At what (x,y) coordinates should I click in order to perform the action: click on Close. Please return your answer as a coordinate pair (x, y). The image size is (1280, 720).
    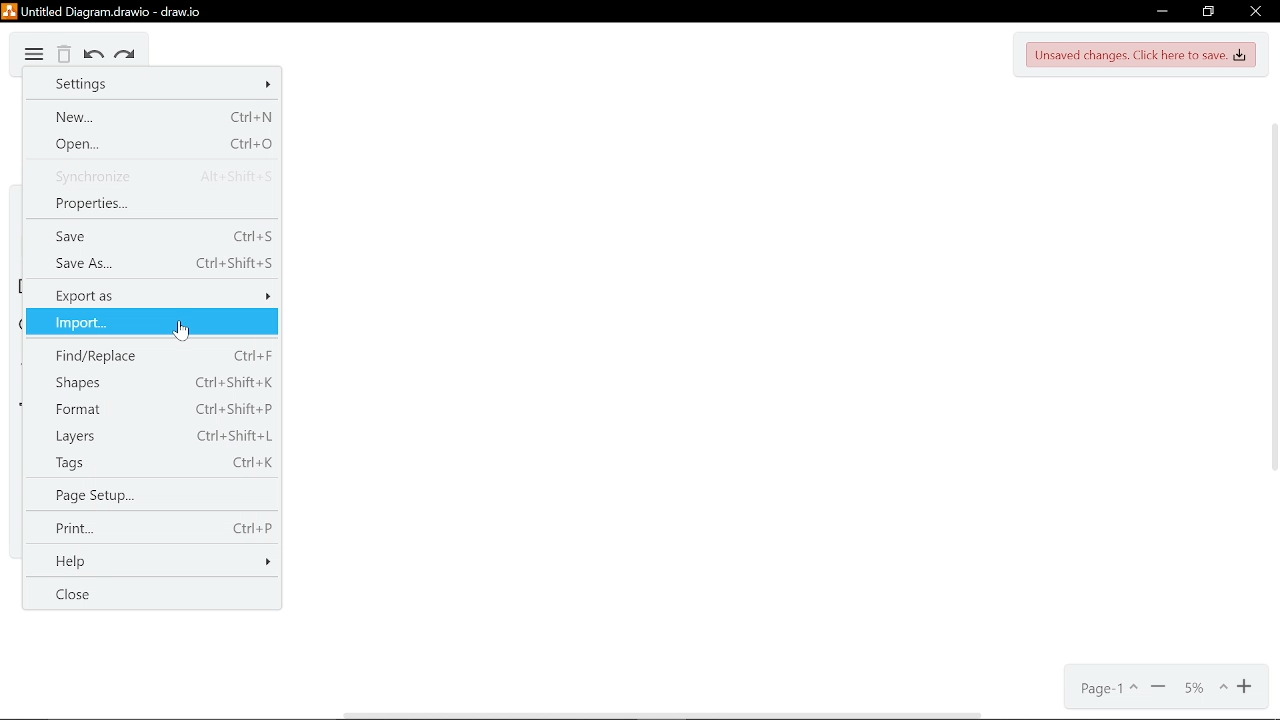
    Looking at the image, I should click on (150, 593).